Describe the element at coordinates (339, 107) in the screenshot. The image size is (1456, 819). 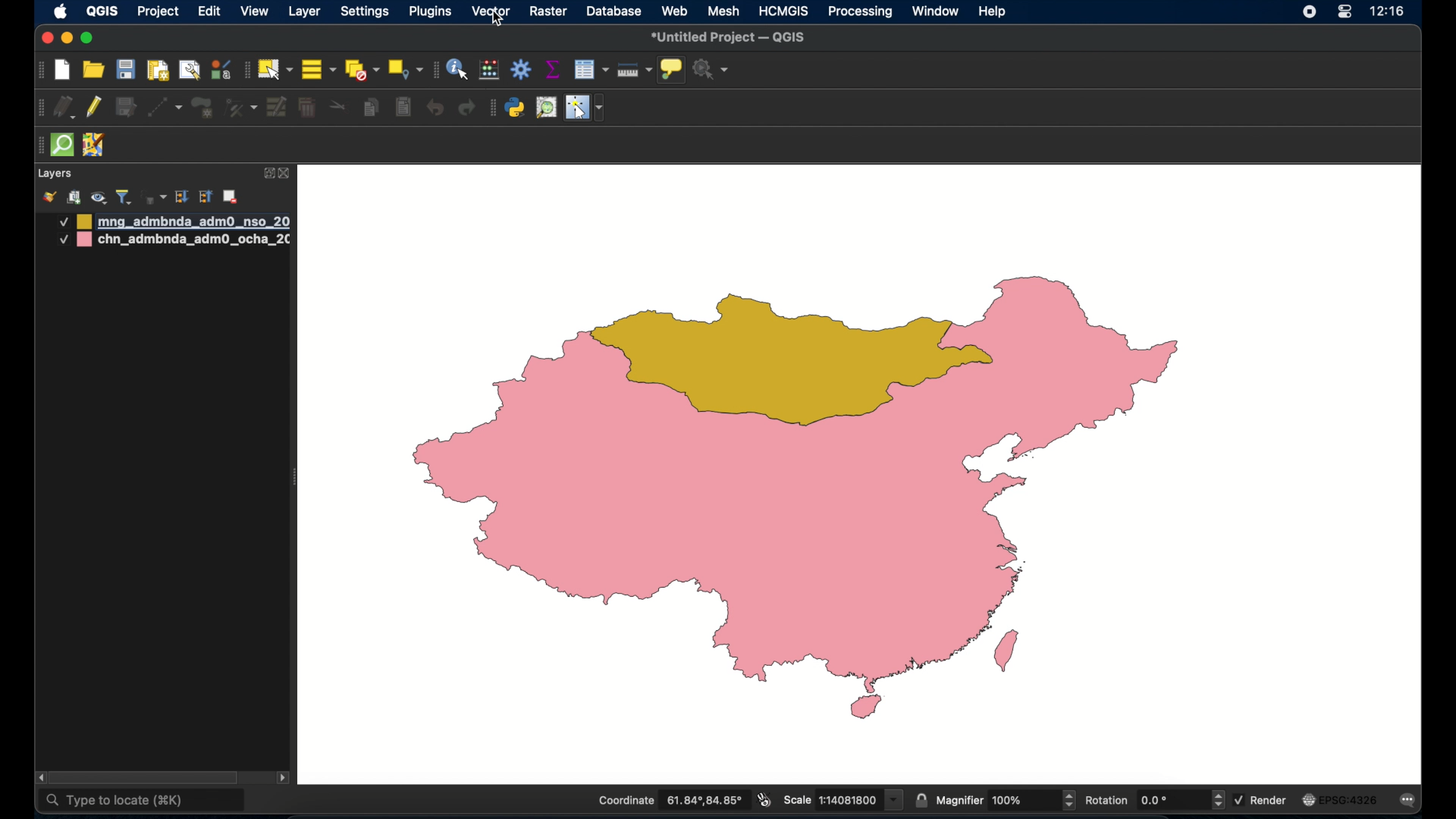
I see `cut features` at that location.